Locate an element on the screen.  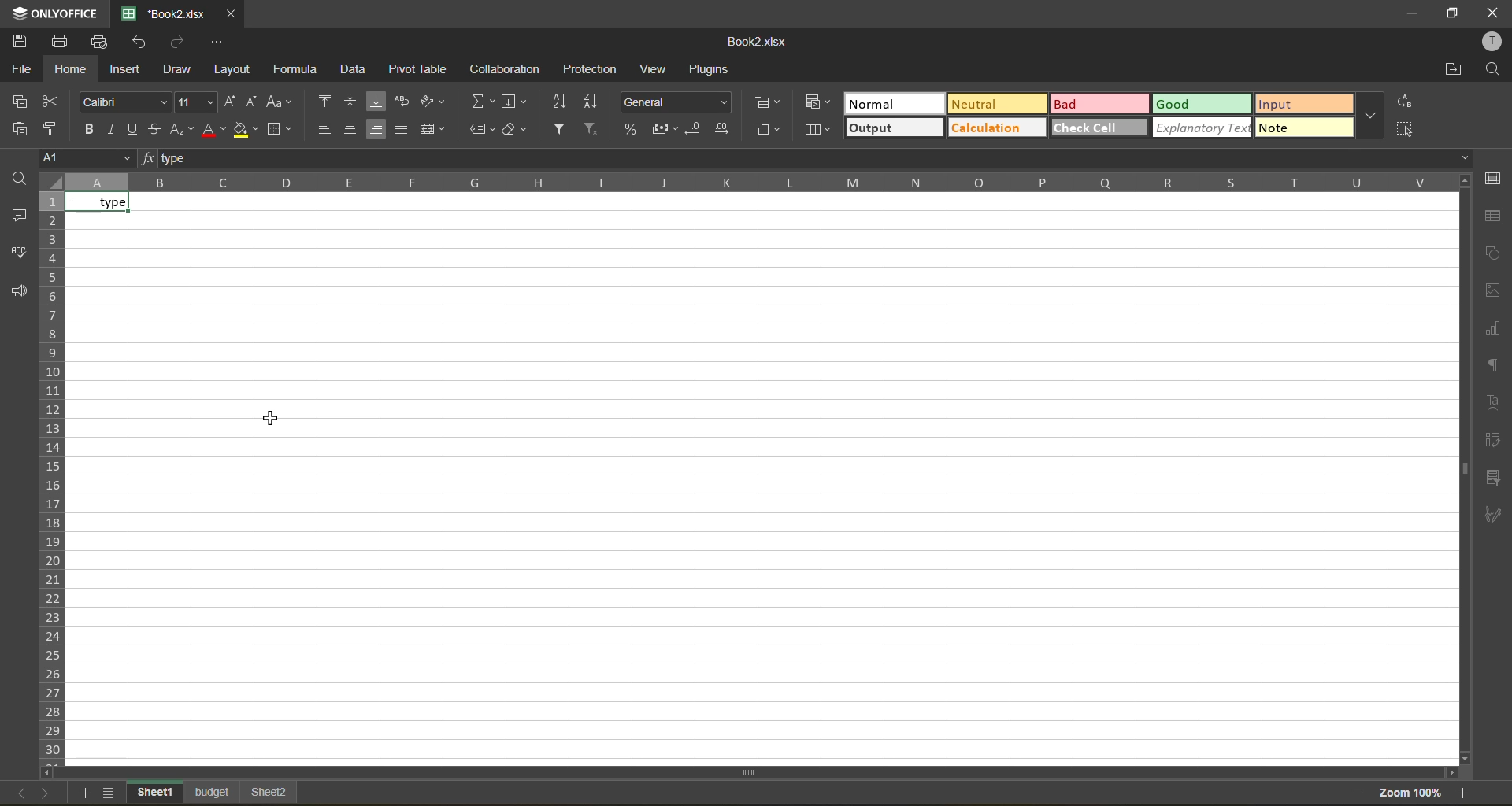
format as table is located at coordinates (817, 132).